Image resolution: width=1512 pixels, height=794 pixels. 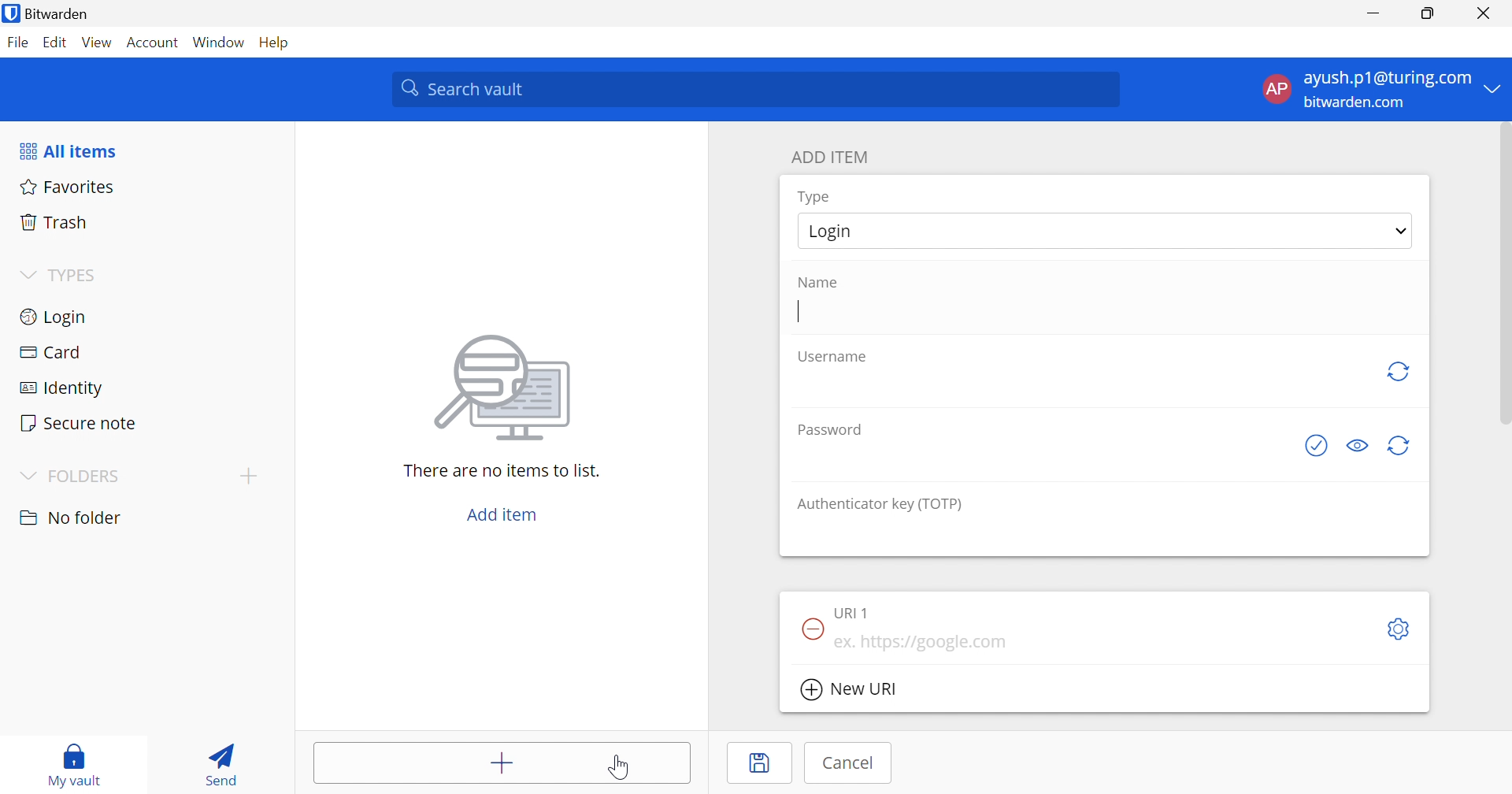 What do you see at coordinates (87, 477) in the screenshot?
I see `FOLDERS` at bounding box center [87, 477].